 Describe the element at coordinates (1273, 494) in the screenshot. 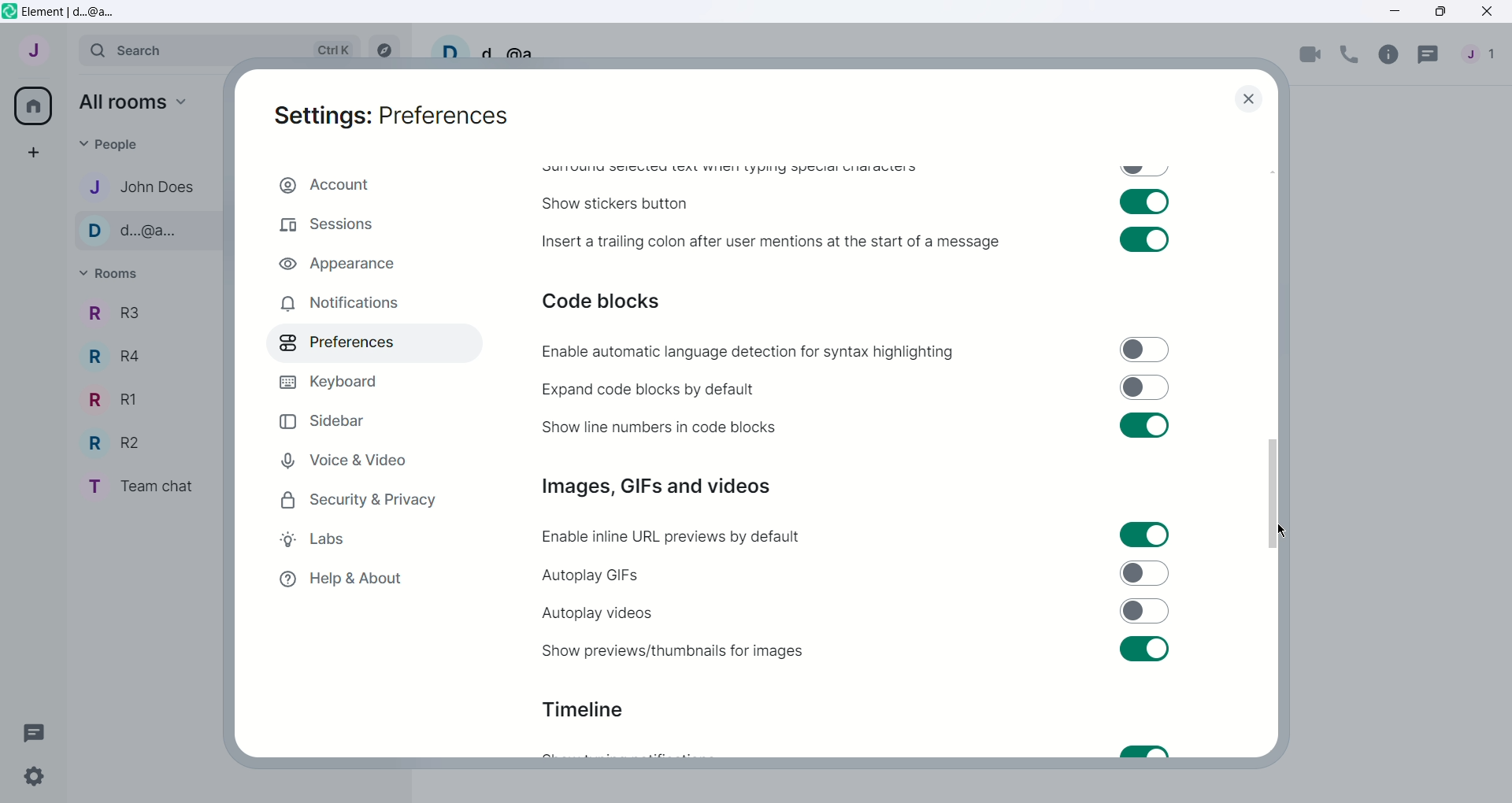

I see `Vertical slide bar` at that location.